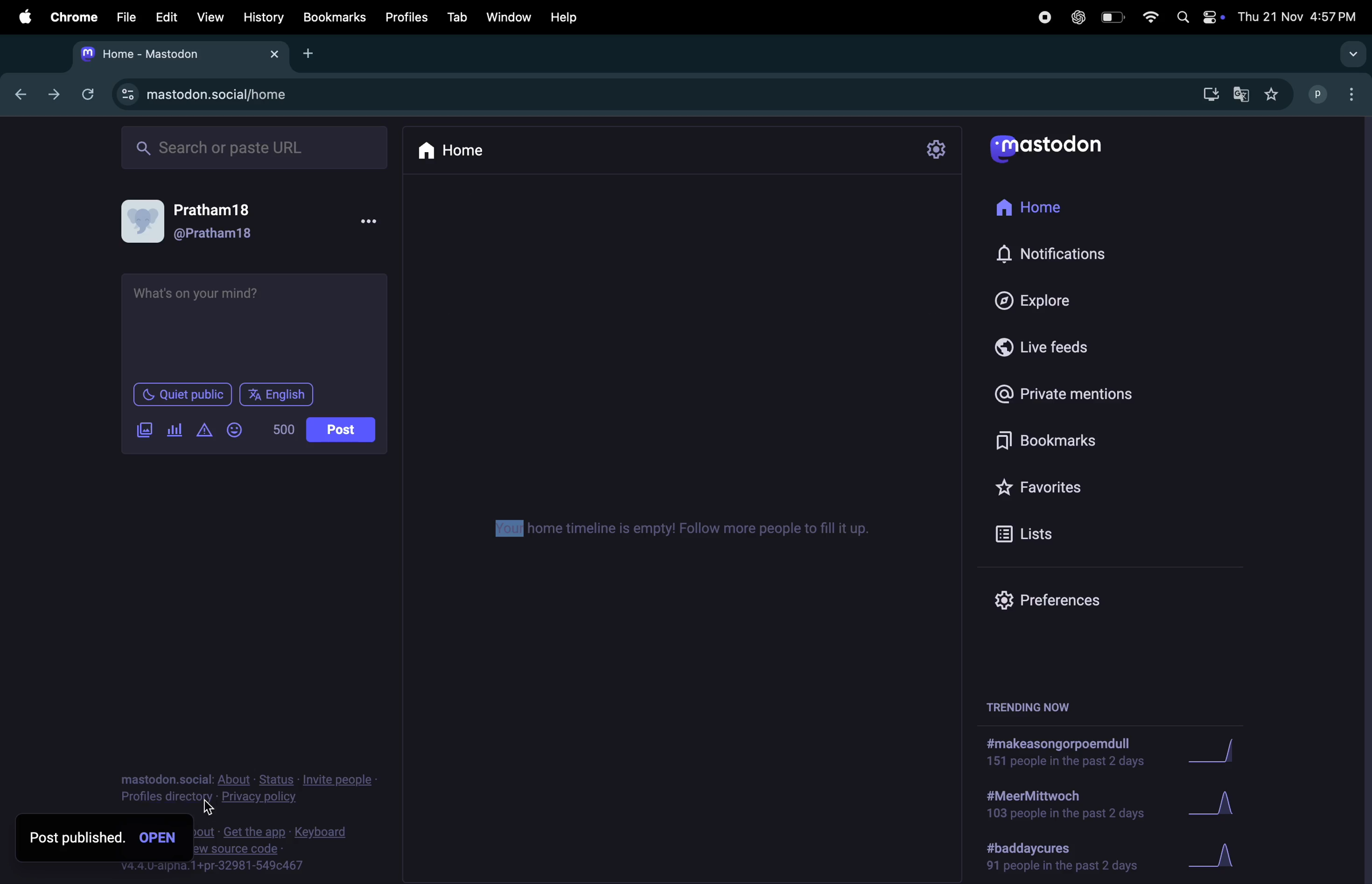  What do you see at coordinates (180, 55) in the screenshot?
I see `tab mastodon` at bounding box center [180, 55].